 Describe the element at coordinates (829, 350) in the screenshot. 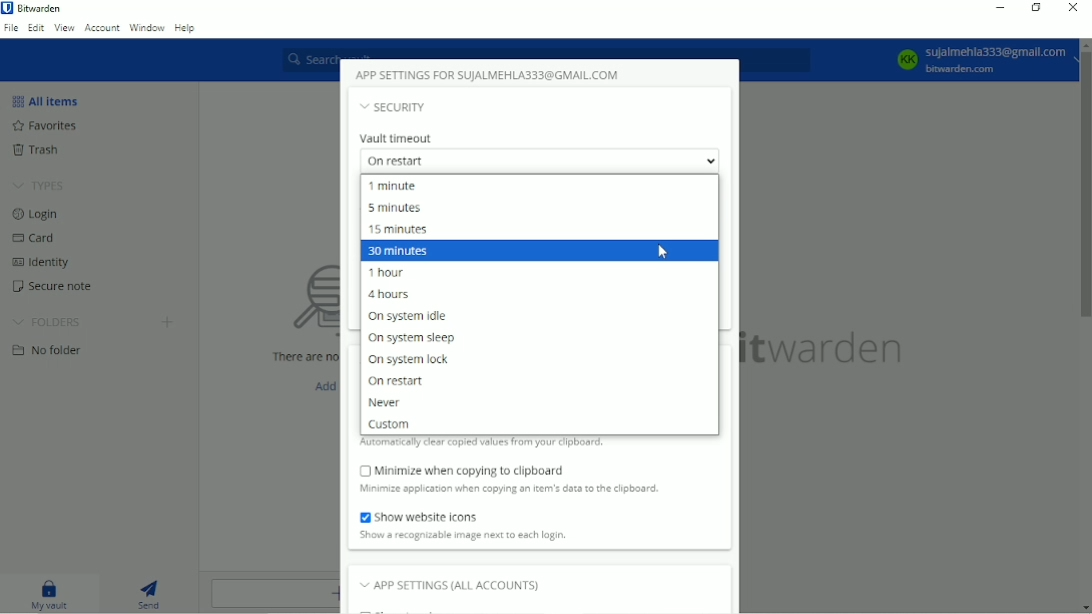

I see `bitwarden` at that location.